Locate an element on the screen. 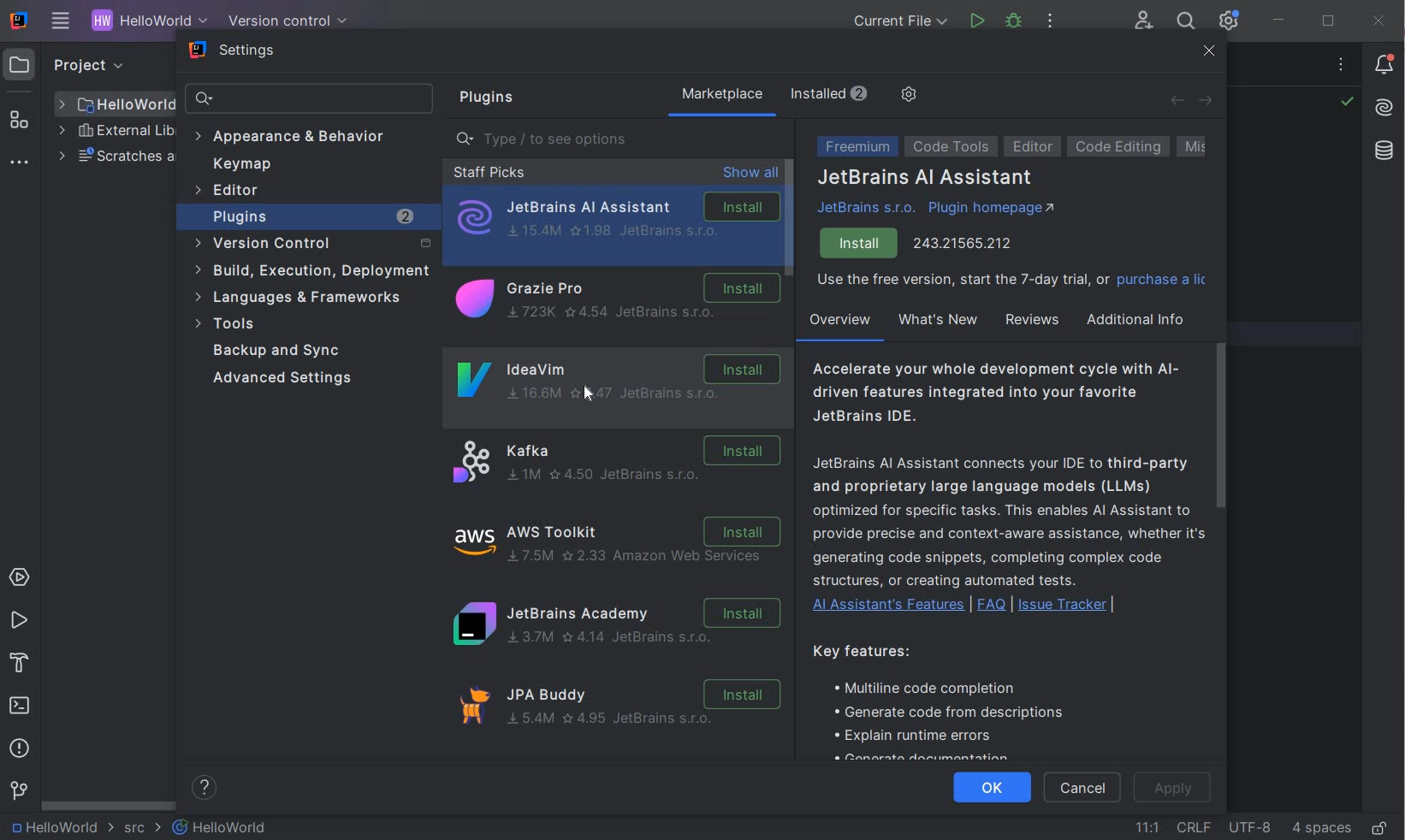 The width and height of the screenshot is (1405, 840). NO PROBLEMS is located at coordinates (1346, 104).